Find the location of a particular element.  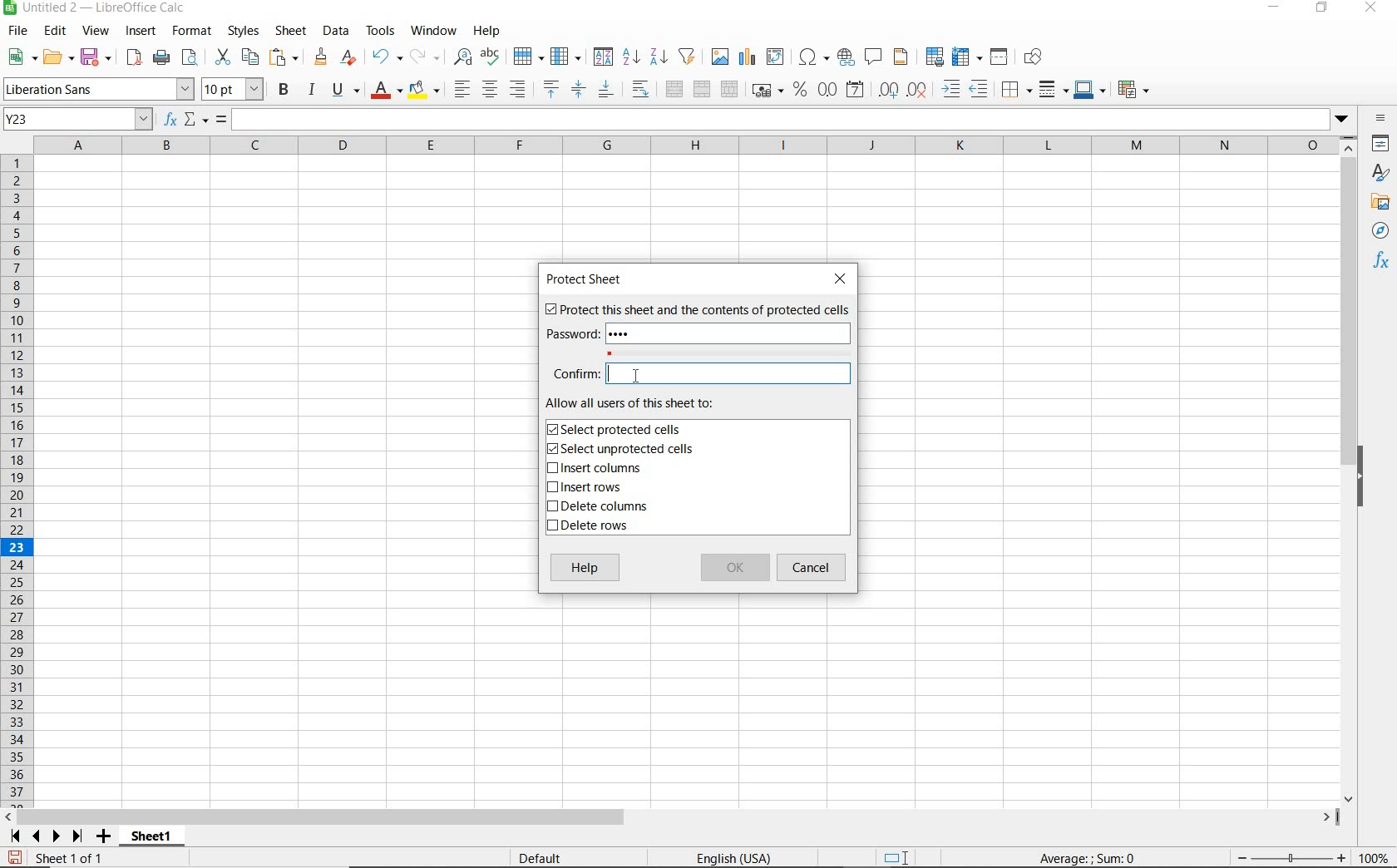

FONT SIZE is located at coordinates (234, 91).